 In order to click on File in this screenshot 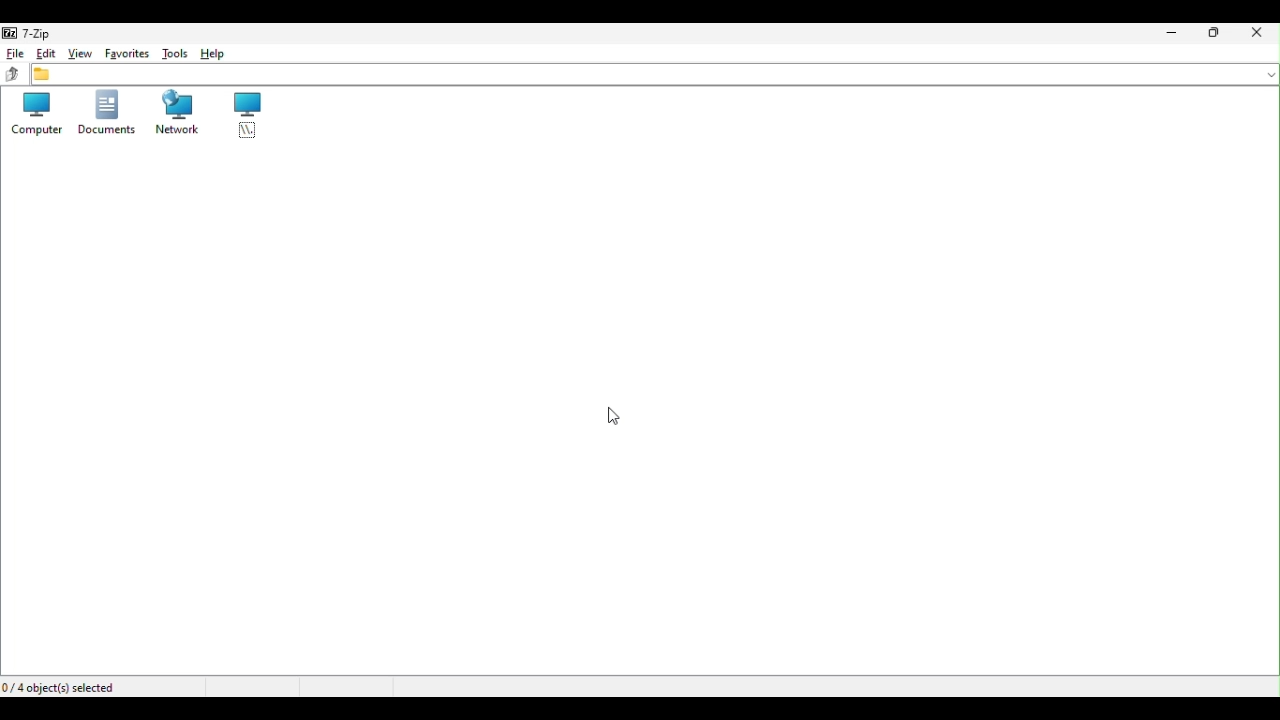, I will do `click(12, 54)`.